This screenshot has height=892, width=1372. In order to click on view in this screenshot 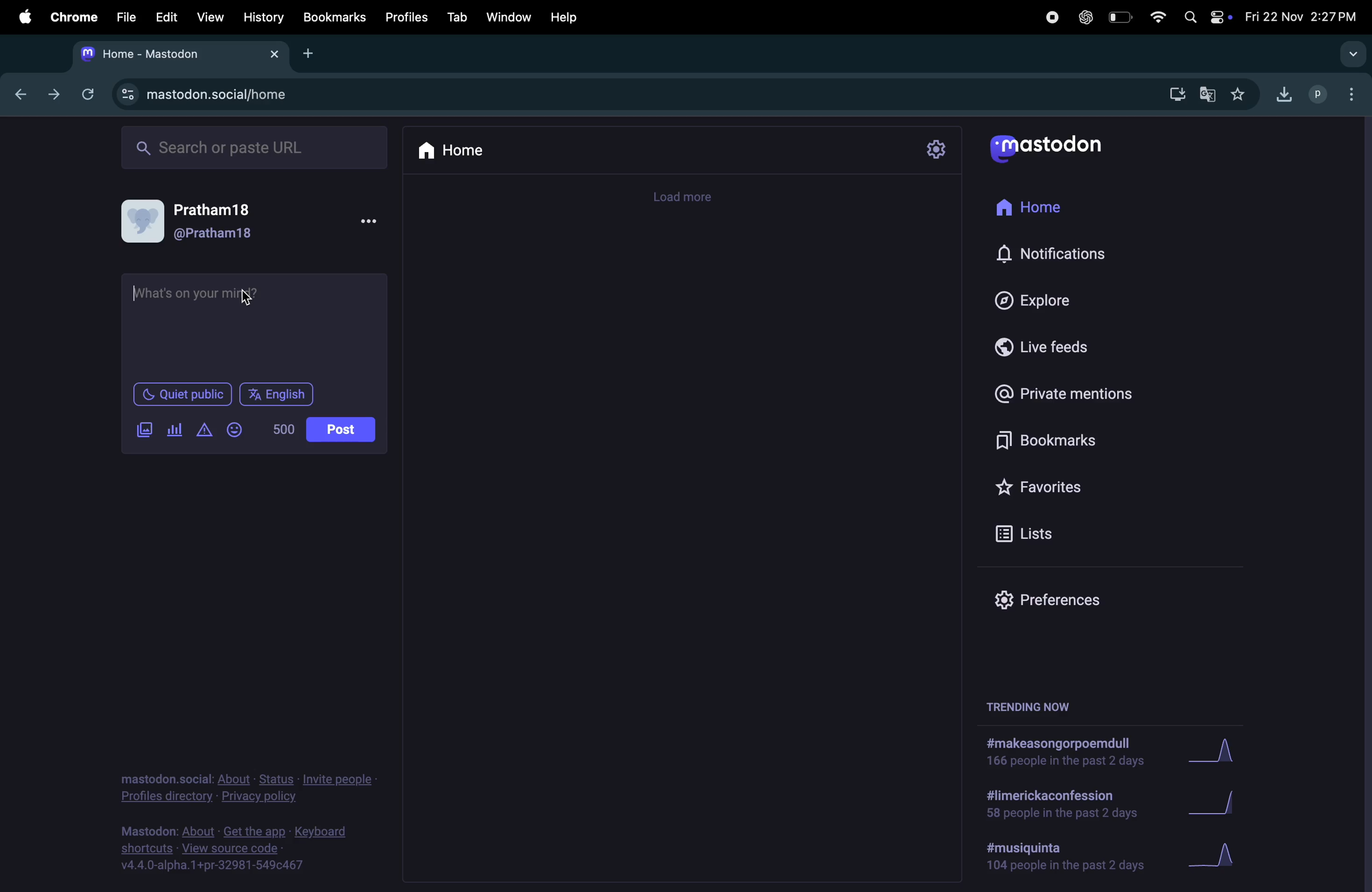, I will do `click(209, 16)`.